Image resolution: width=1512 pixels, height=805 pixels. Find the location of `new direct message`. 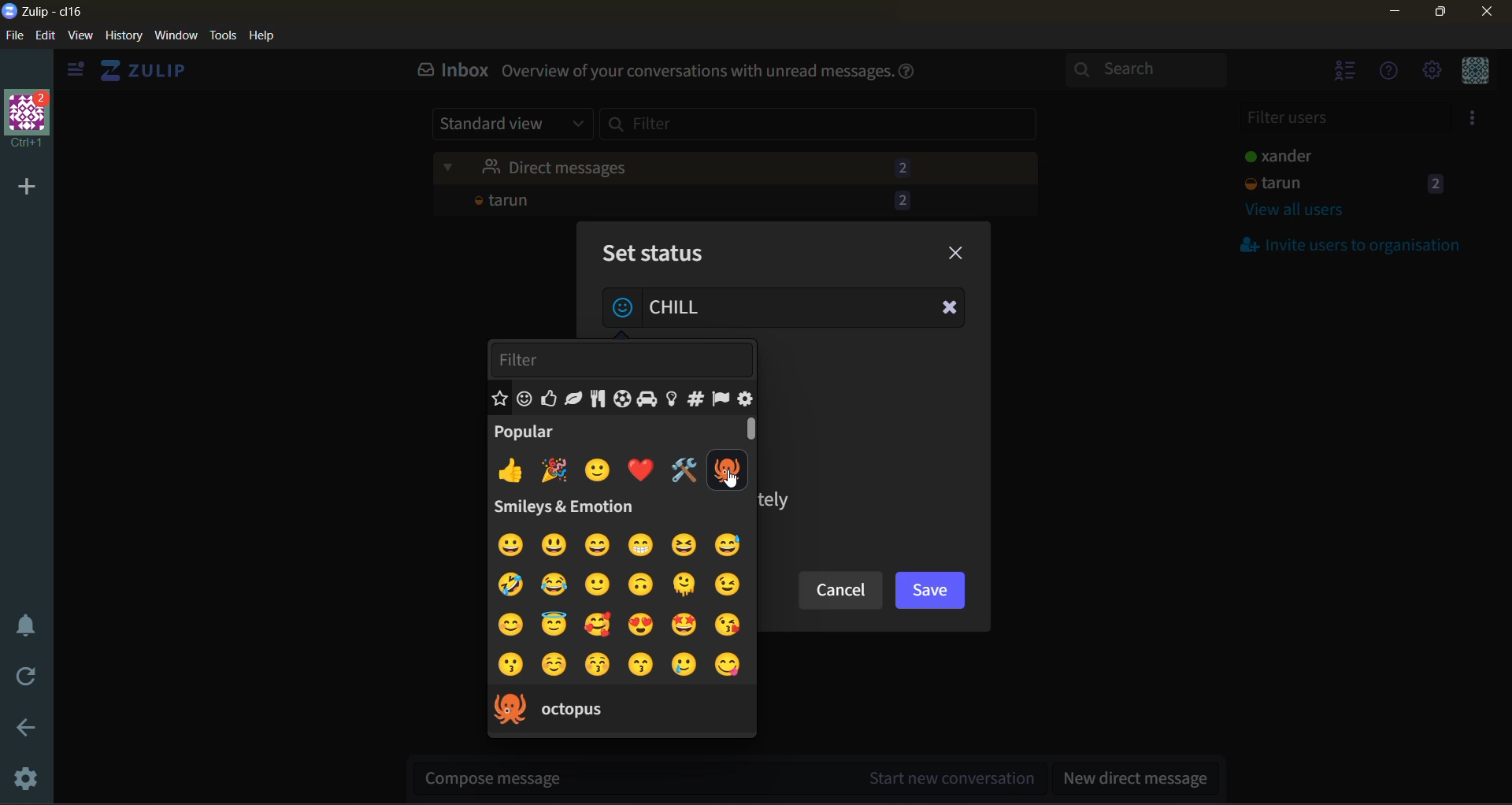

new direct message is located at coordinates (1136, 777).